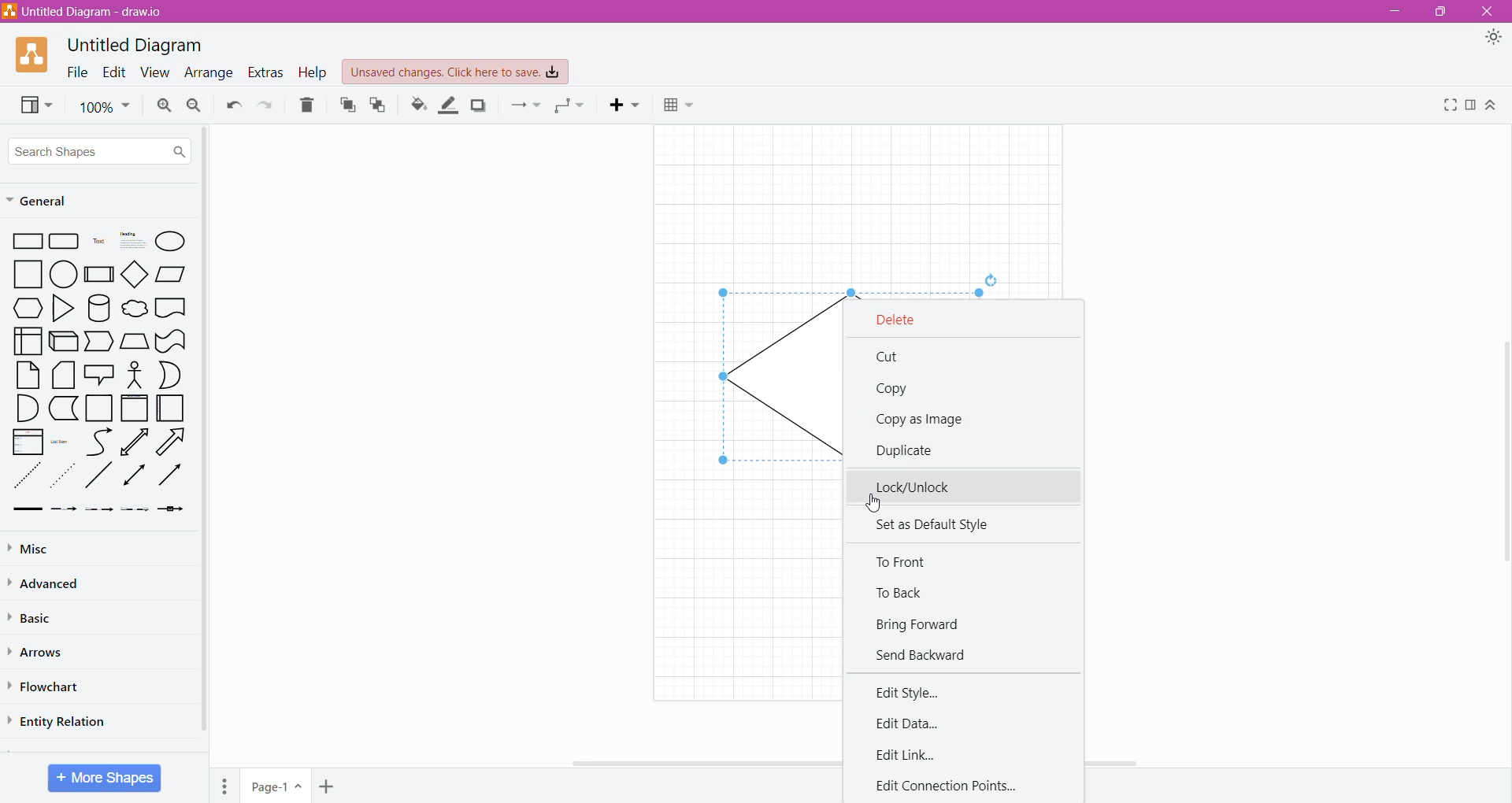 Image resolution: width=1512 pixels, height=803 pixels. Describe the element at coordinates (208, 442) in the screenshot. I see `Vertical Scroll Bar` at that location.